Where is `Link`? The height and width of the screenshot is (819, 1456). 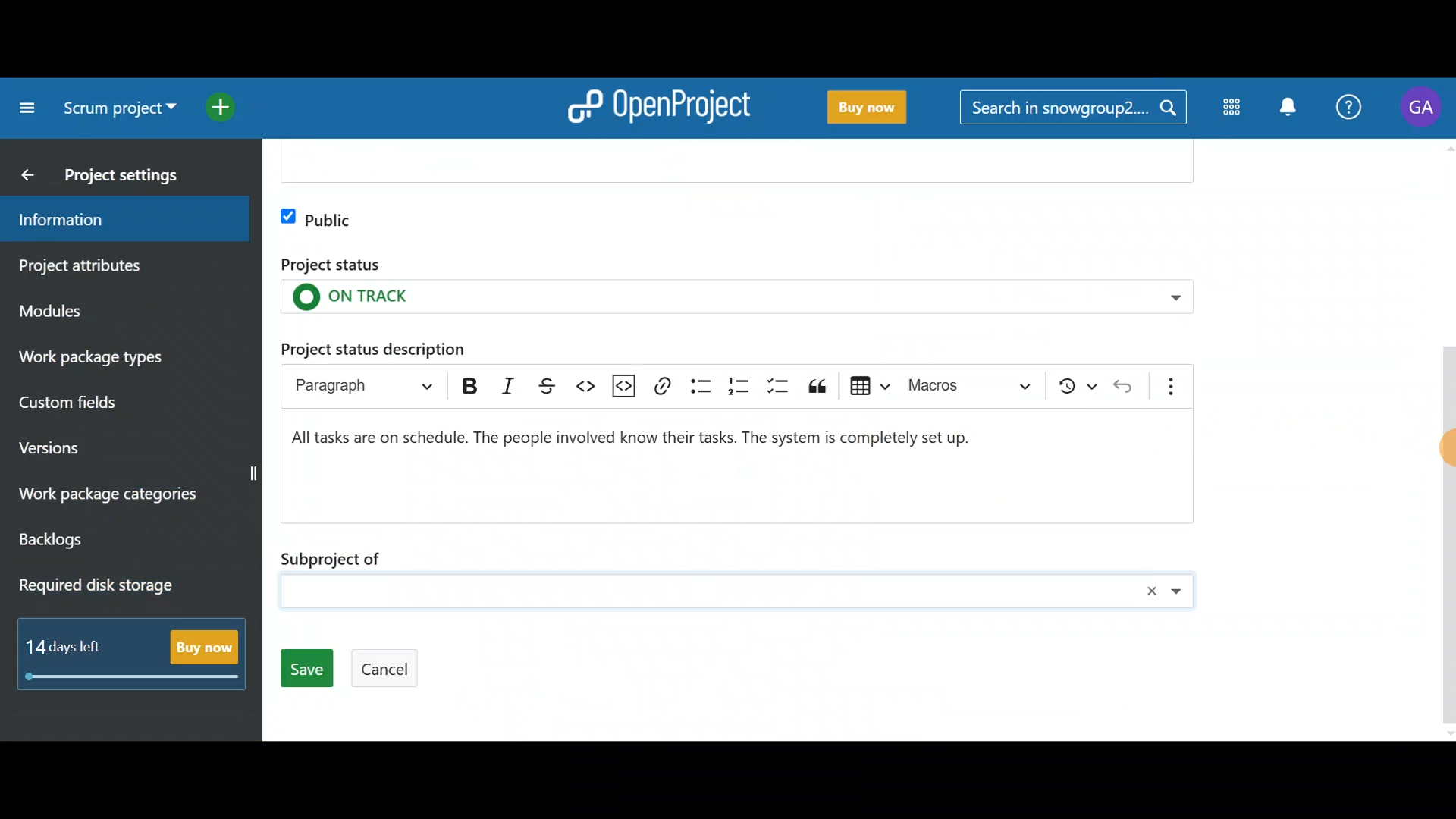
Link is located at coordinates (661, 384).